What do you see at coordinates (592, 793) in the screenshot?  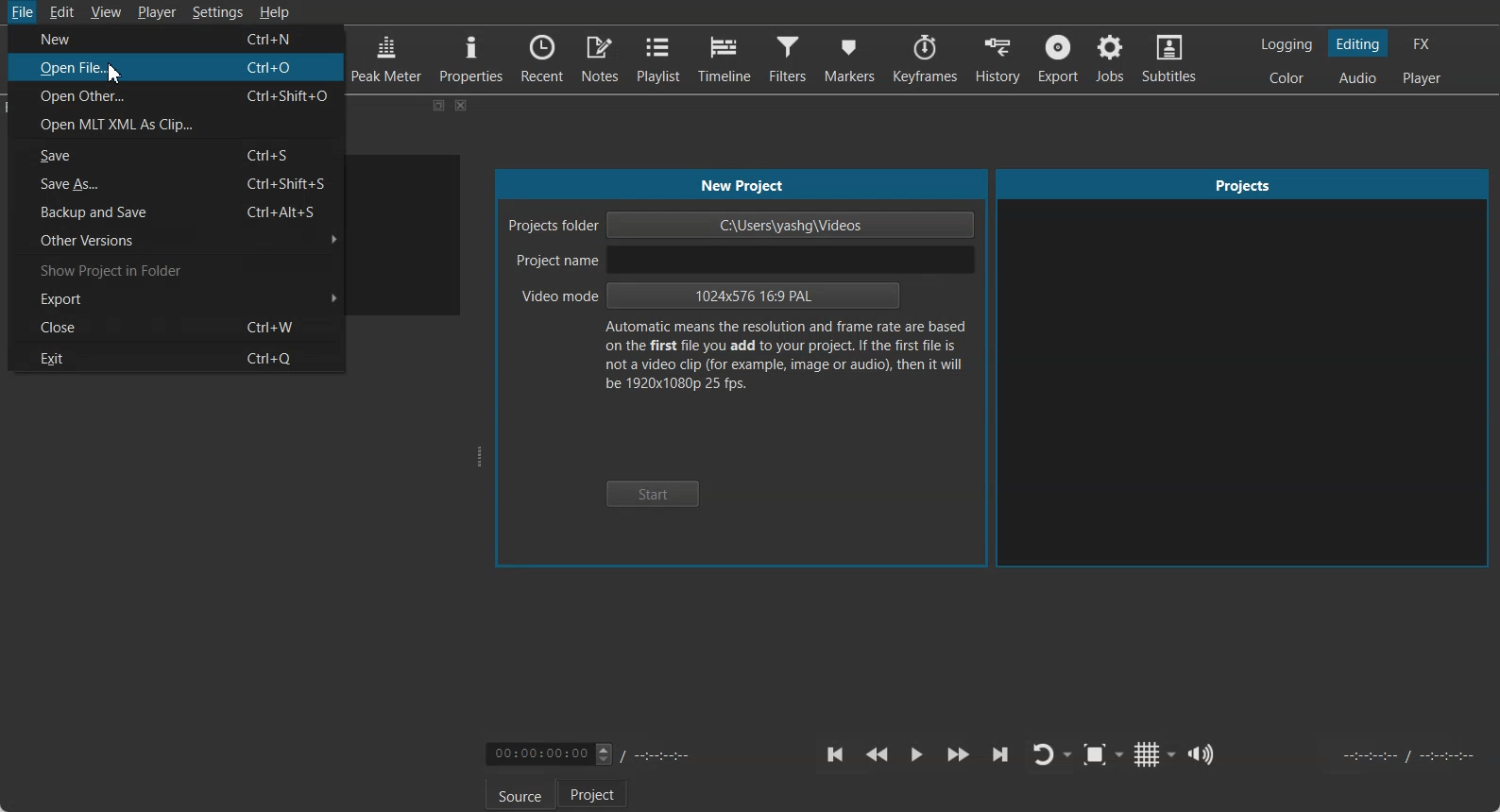 I see `Project` at bounding box center [592, 793].